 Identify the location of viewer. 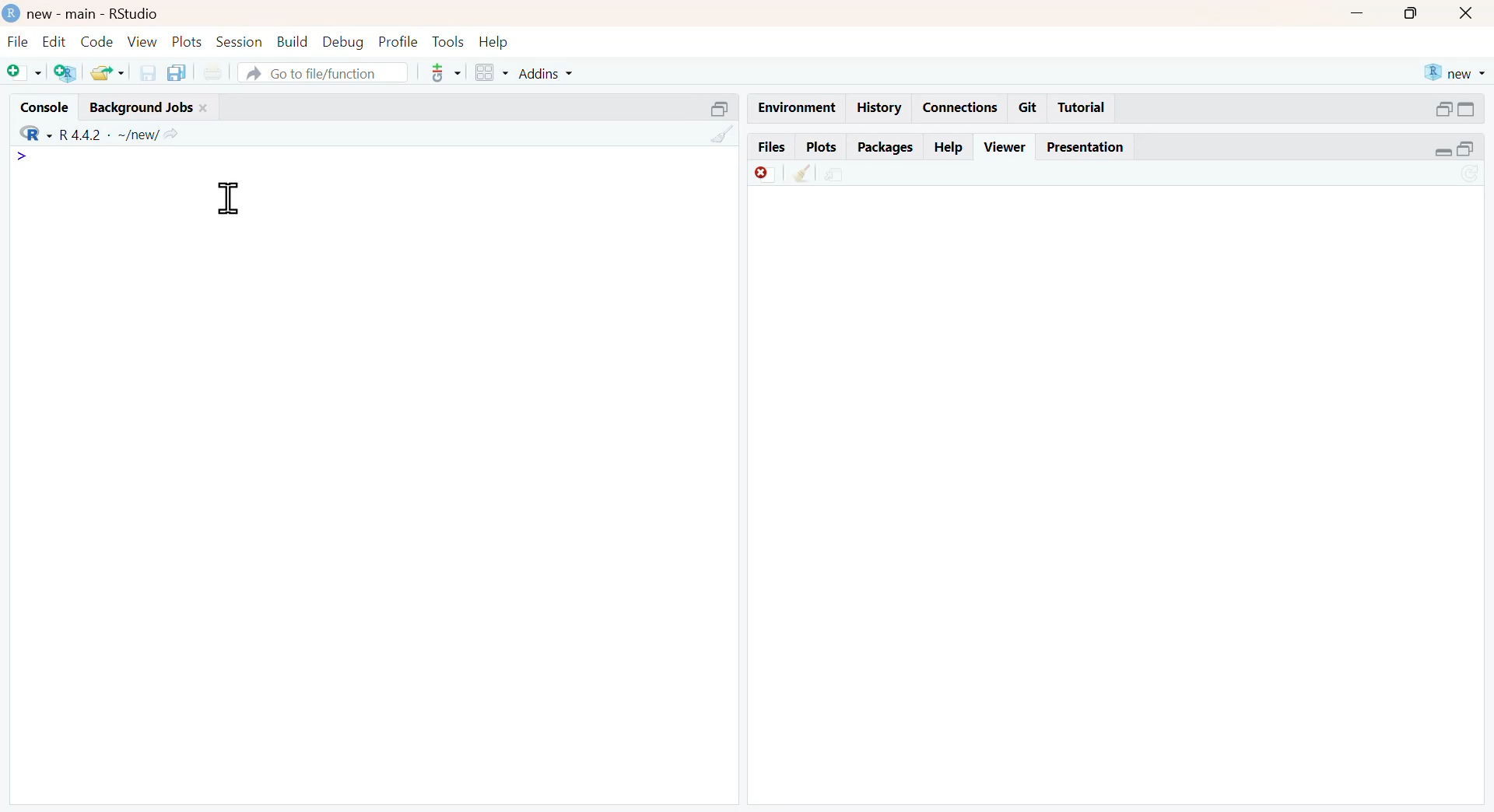
(1005, 147).